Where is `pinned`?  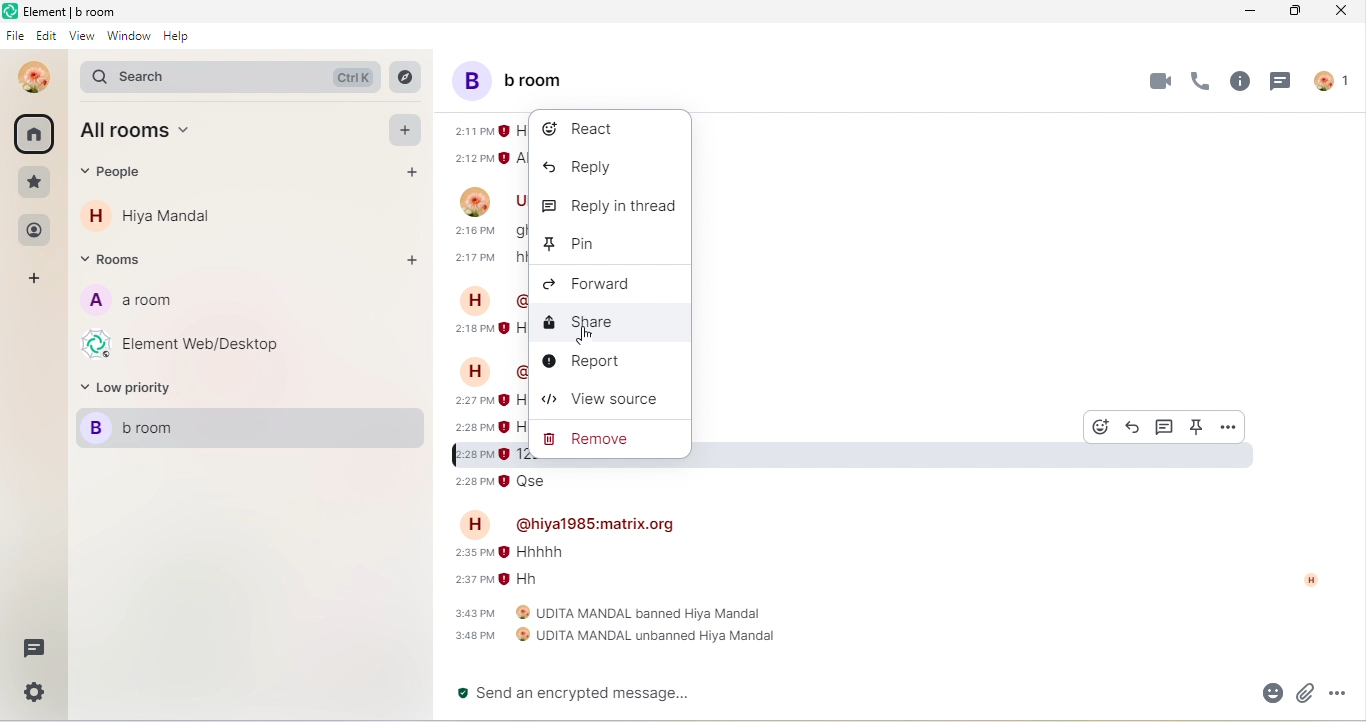
pinned is located at coordinates (1198, 427).